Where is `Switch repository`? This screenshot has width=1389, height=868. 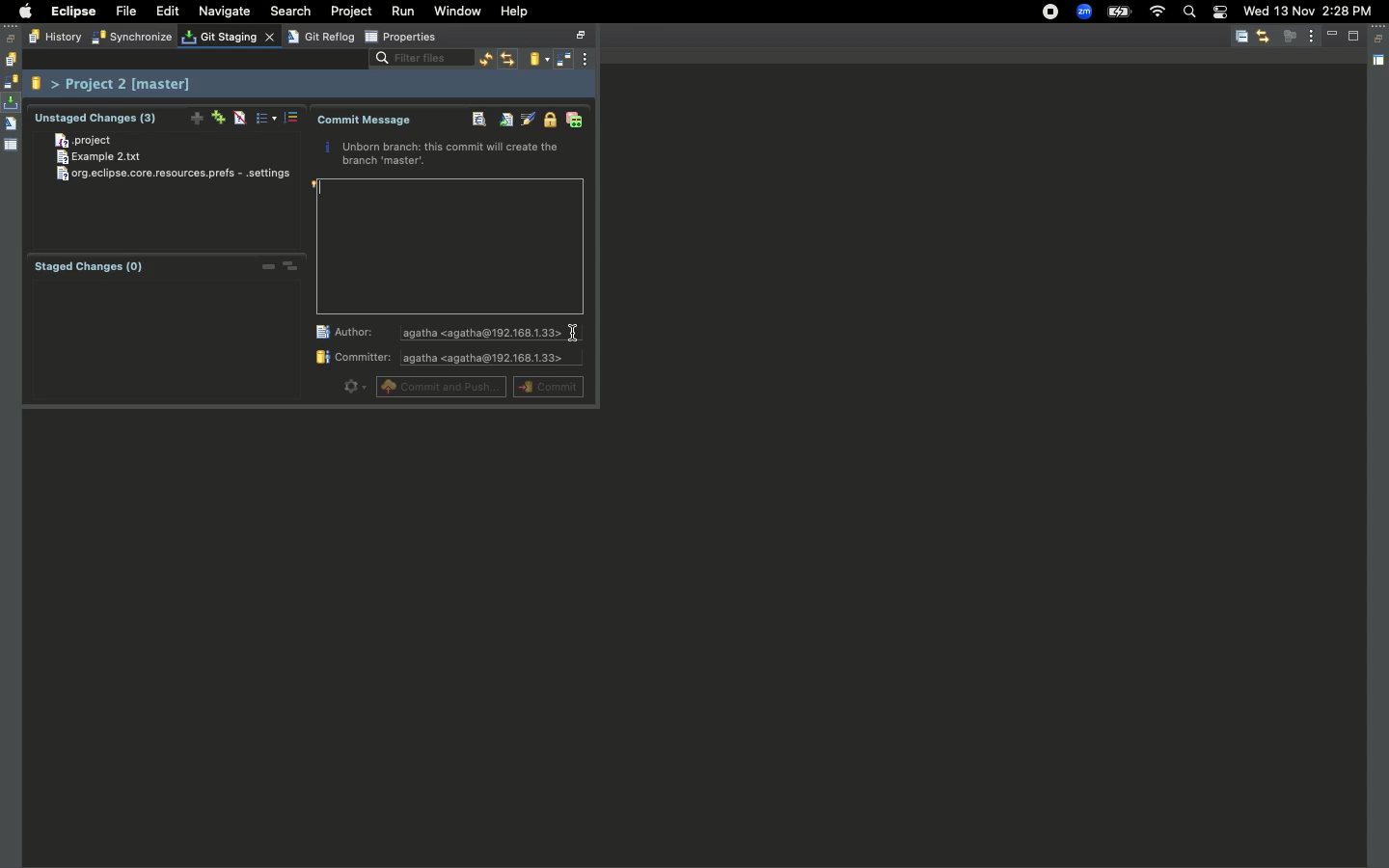
Switch repository is located at coordinates (538, 60).